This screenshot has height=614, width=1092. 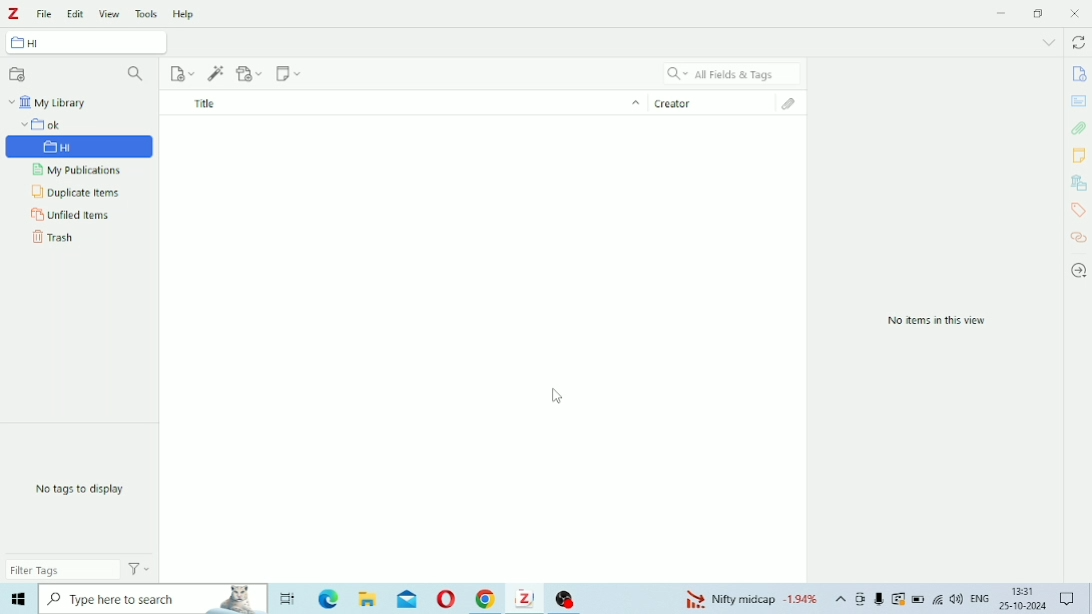 I want to click on 13:31, so click(x=1025, y=591).